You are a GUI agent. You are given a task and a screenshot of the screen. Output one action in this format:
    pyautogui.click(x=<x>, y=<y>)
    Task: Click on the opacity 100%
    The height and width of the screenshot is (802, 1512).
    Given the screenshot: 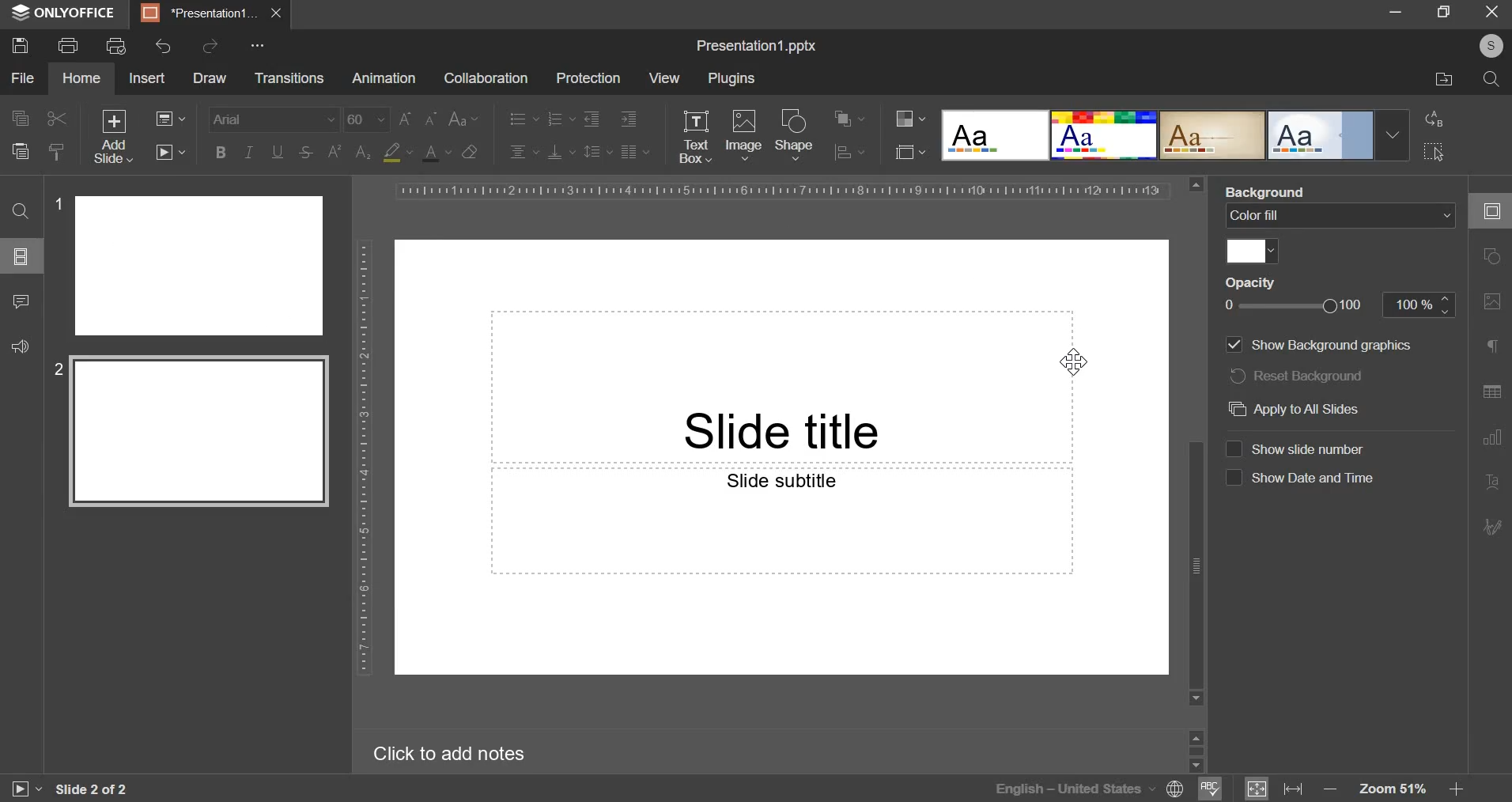 What is the action you would take?
    pyautogui.click(x=1421, y=304)
    